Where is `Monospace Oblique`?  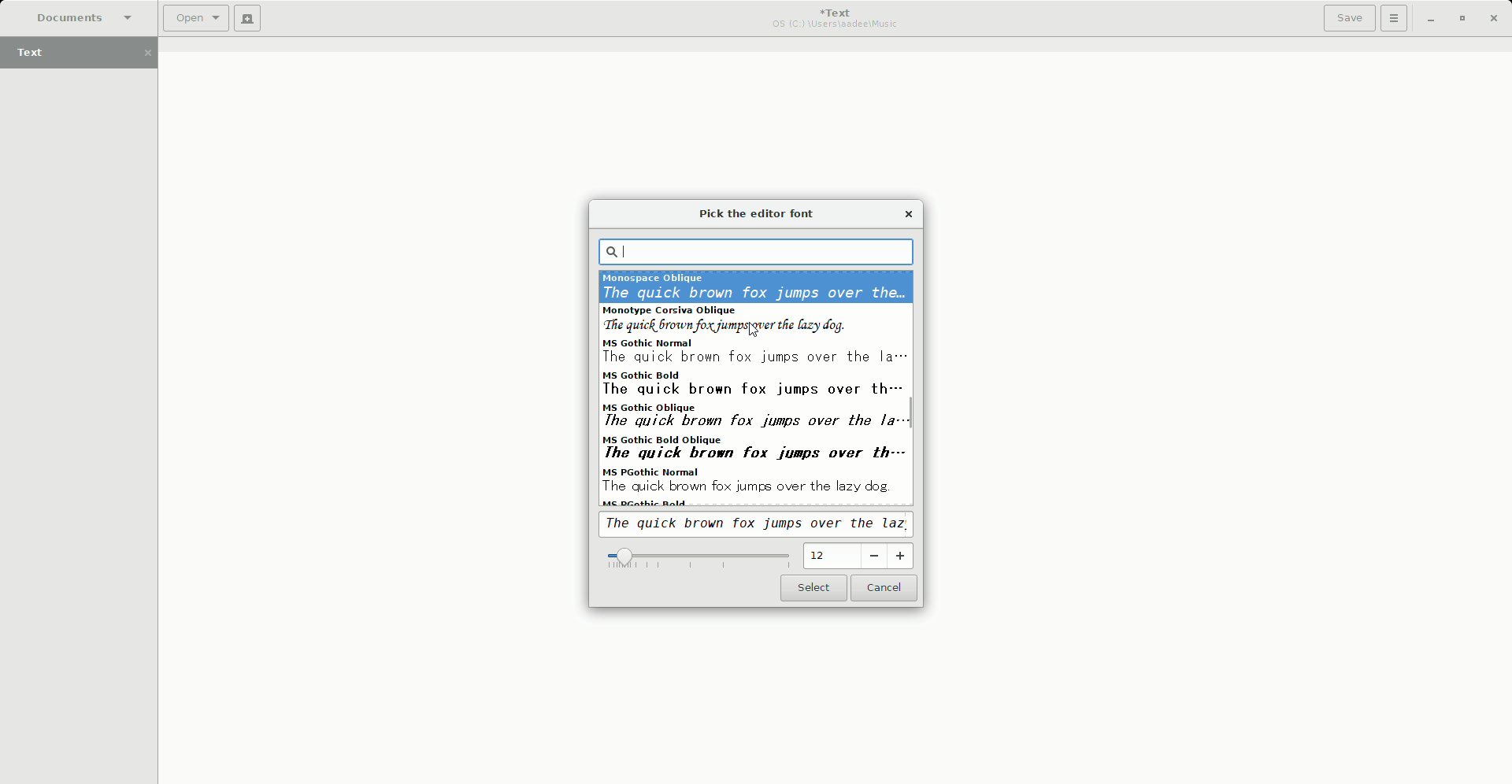
Monospace Oblique is located at coordinates (755, 287).